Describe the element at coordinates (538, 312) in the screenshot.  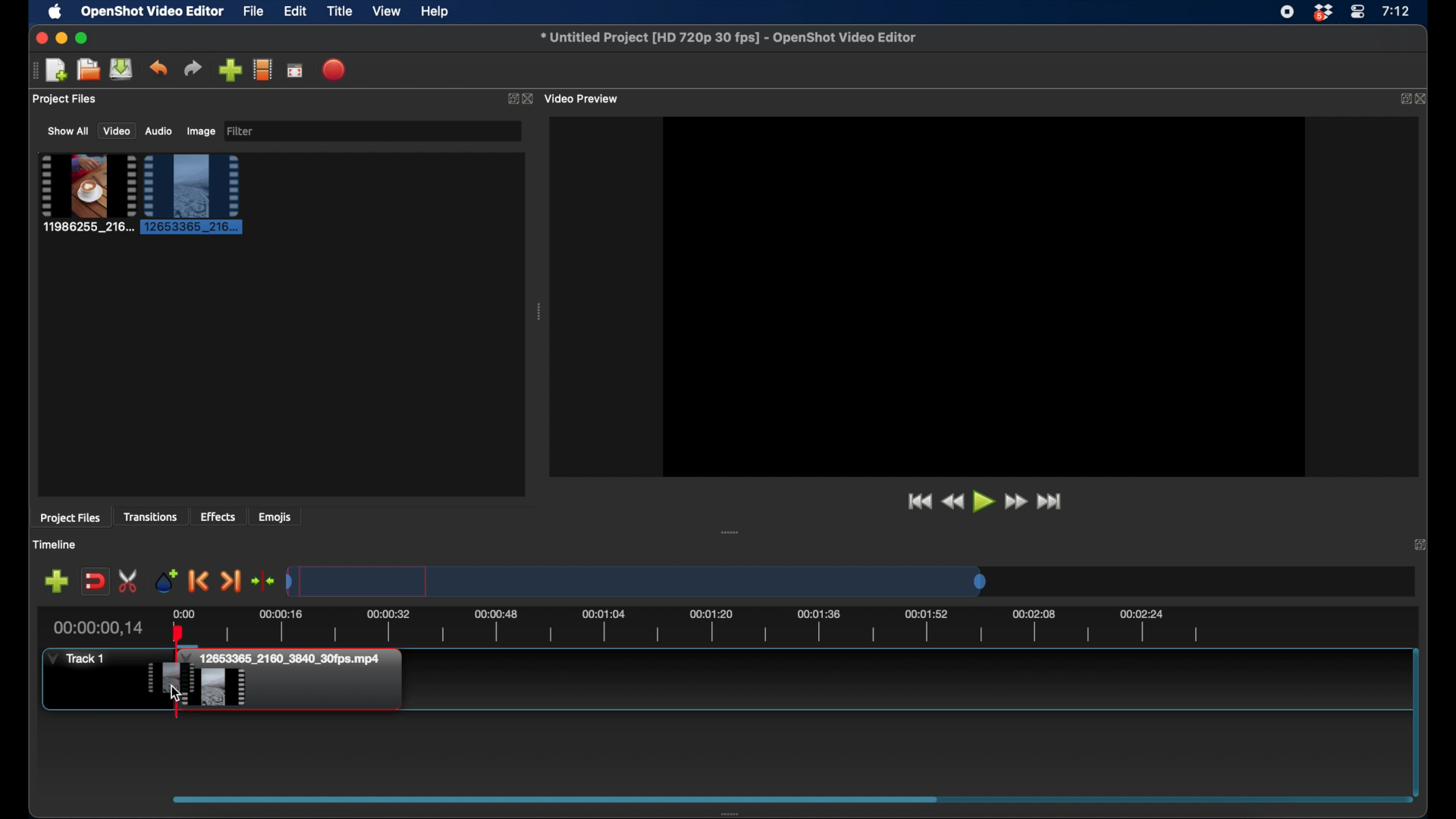
I see `drag handle` at that location.